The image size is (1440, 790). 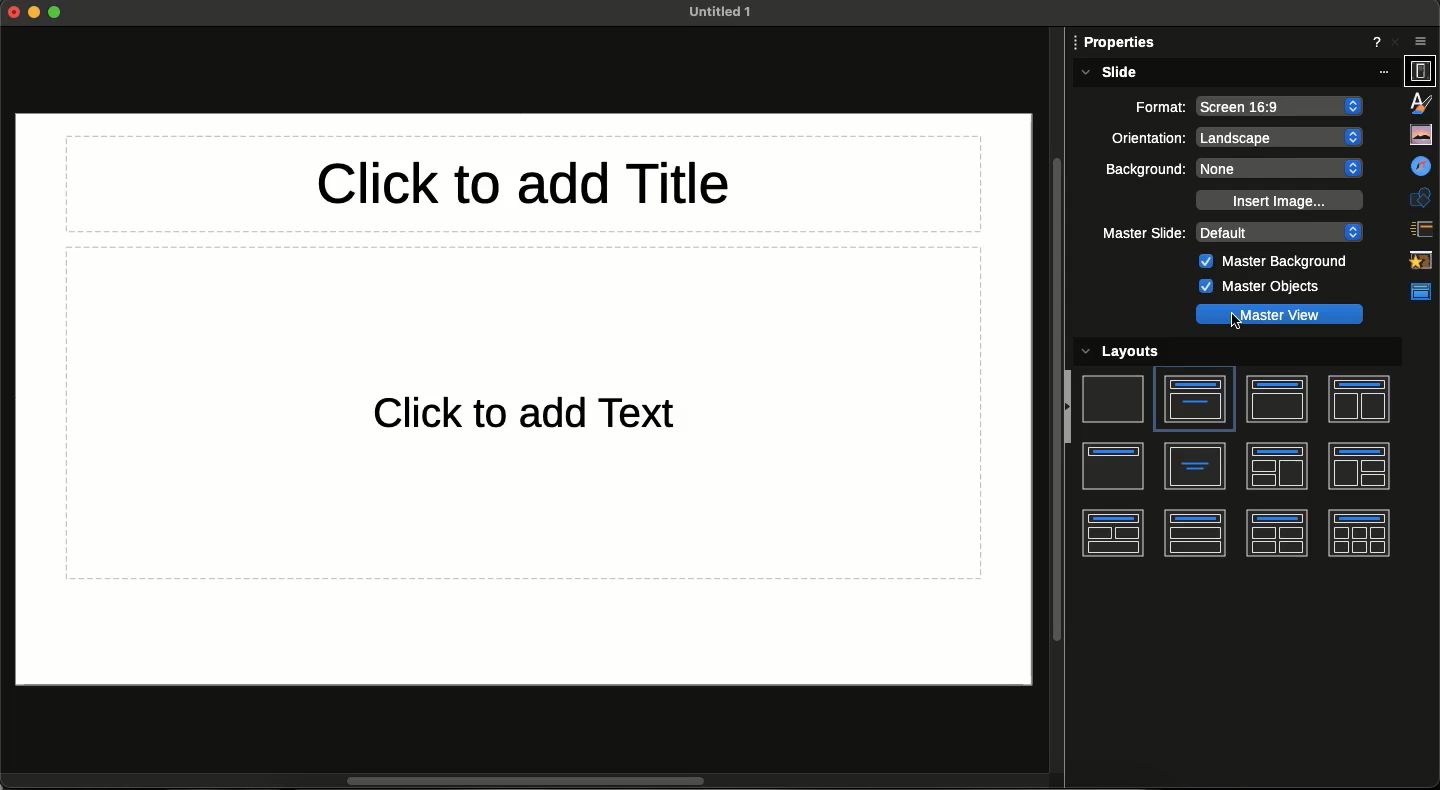 What do you see at coordinates (1145, 170) in the screenshot?
I see `Background` at bounding box center [1145, 170].